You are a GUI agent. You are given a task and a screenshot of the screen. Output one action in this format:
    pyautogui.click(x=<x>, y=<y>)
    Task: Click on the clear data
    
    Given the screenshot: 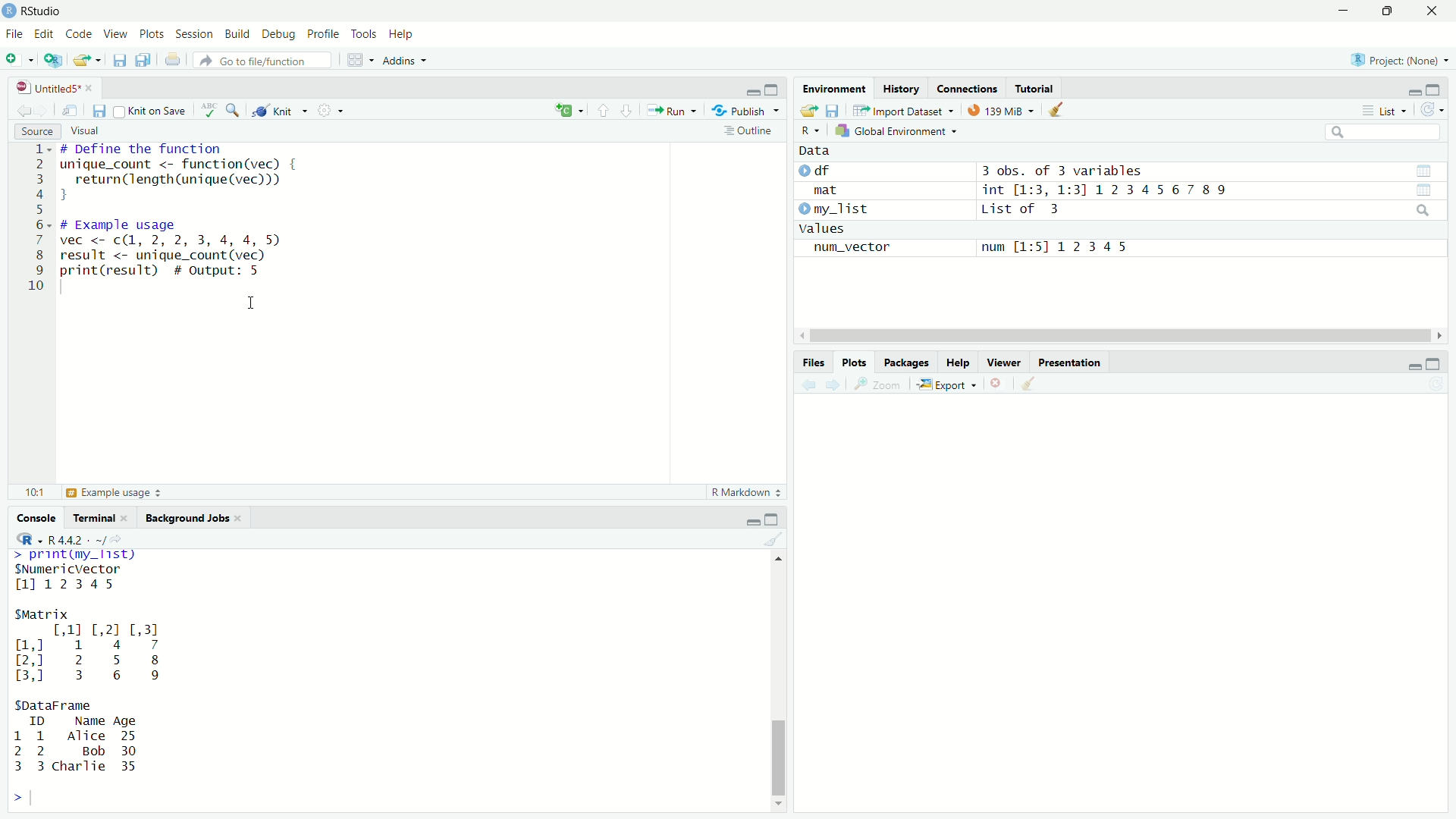 What is the action you would take?
    pyautogui.click(x=1058, y=110)
    